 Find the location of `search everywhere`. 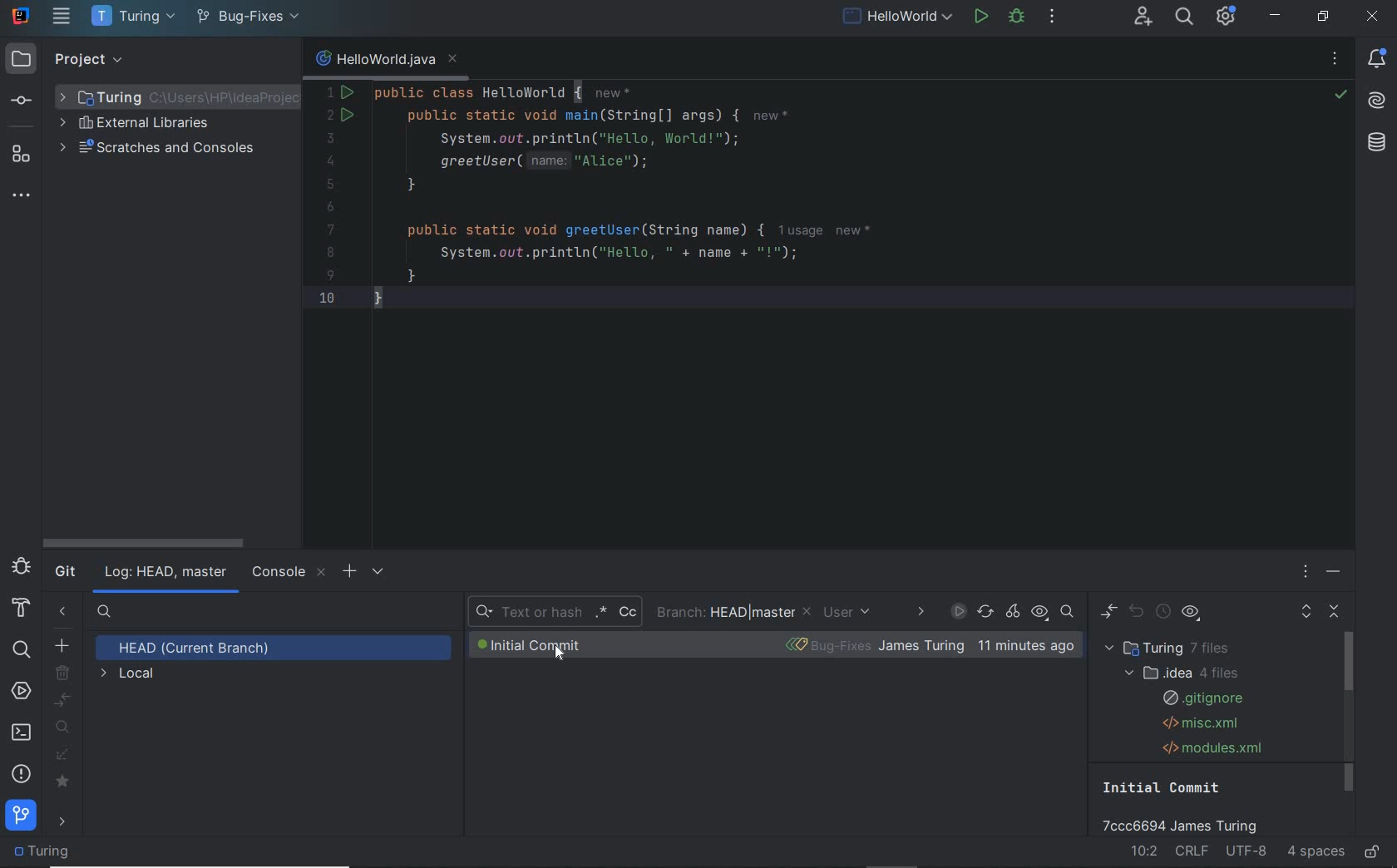

search everywhere is located at coordinates (1184, 17).